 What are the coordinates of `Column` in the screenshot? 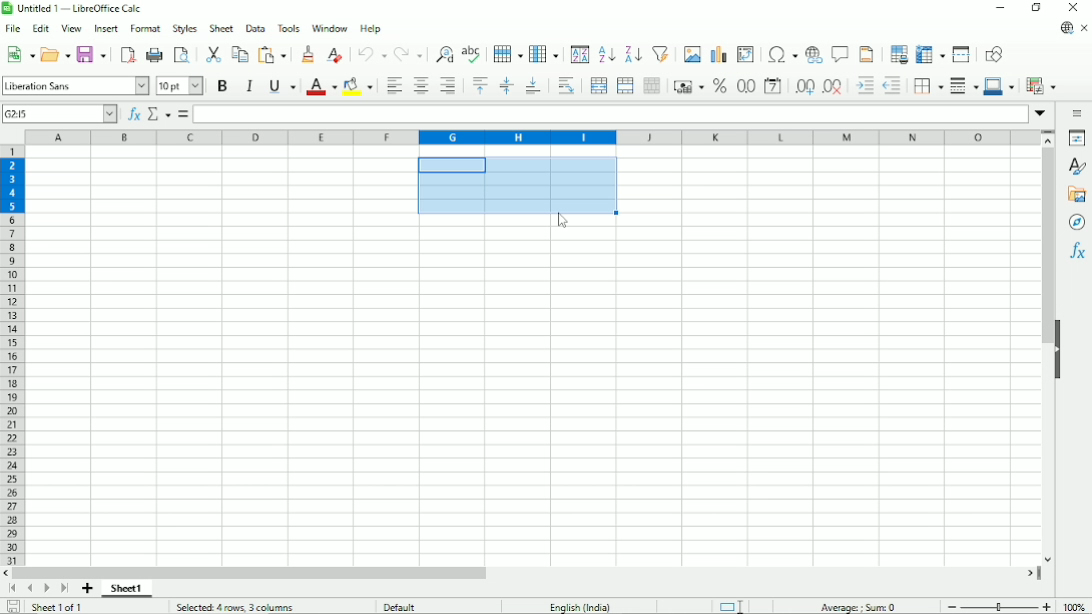 It's located at (545, 53).